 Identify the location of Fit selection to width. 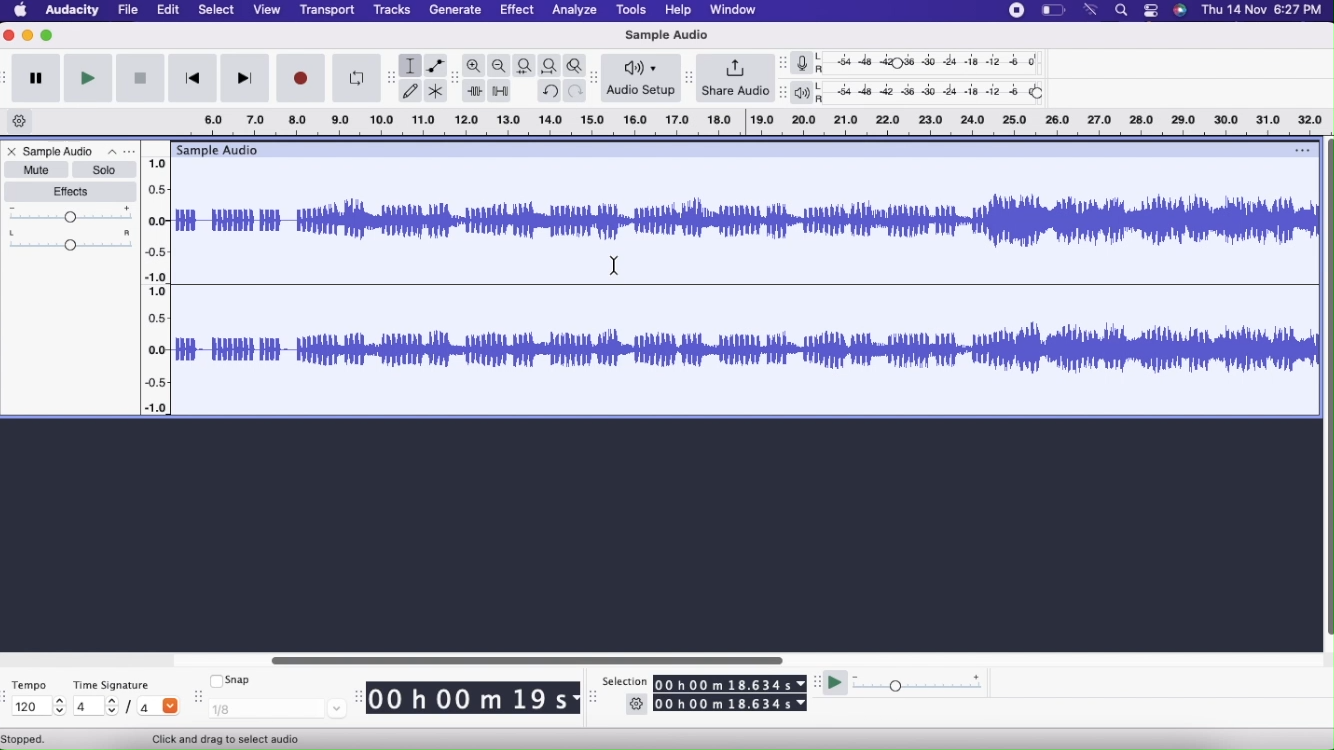
(526, 66).